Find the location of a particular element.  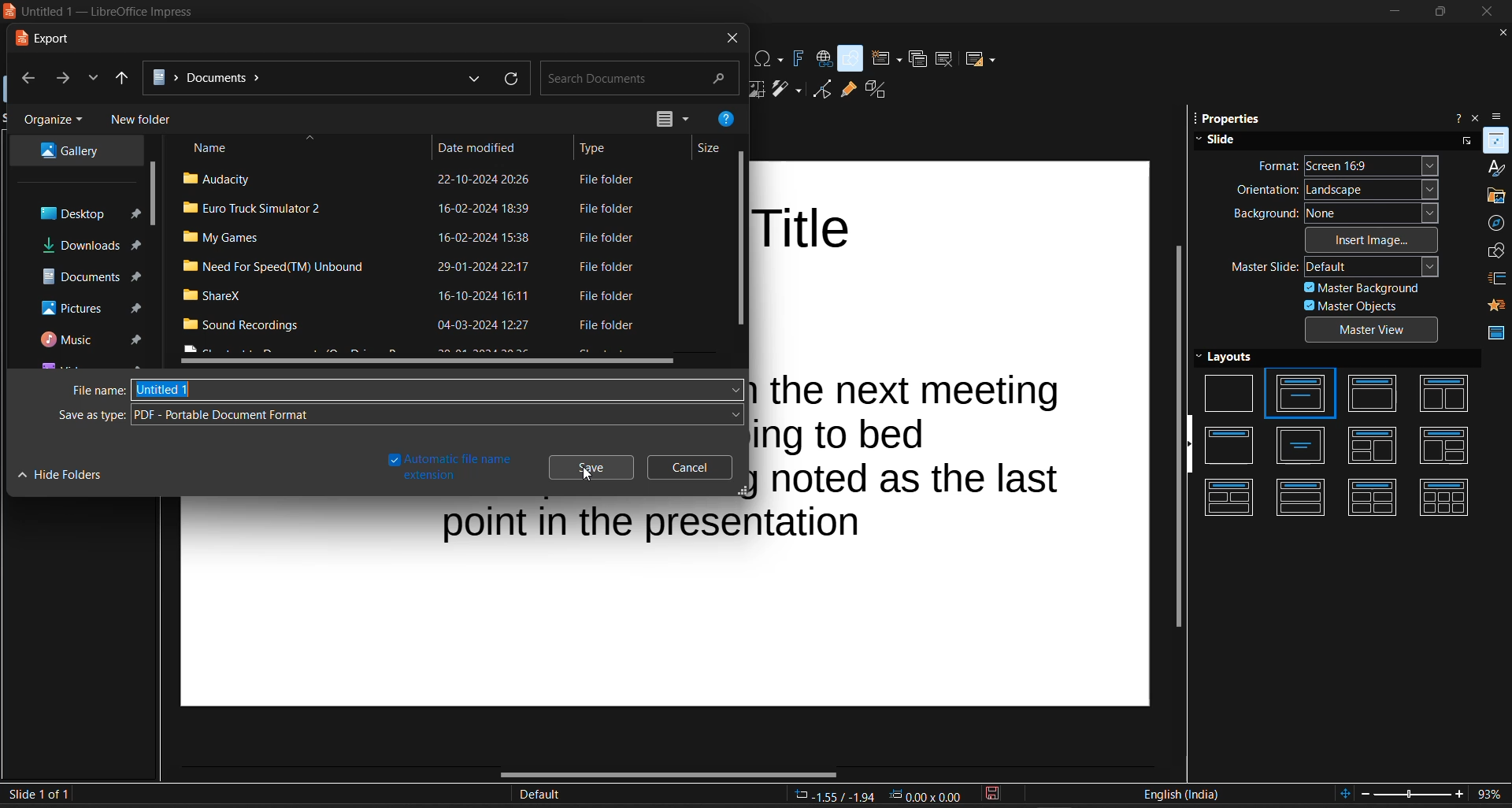

-1.55/-1.94 000 x 000 is located at coordinates (879, 795).